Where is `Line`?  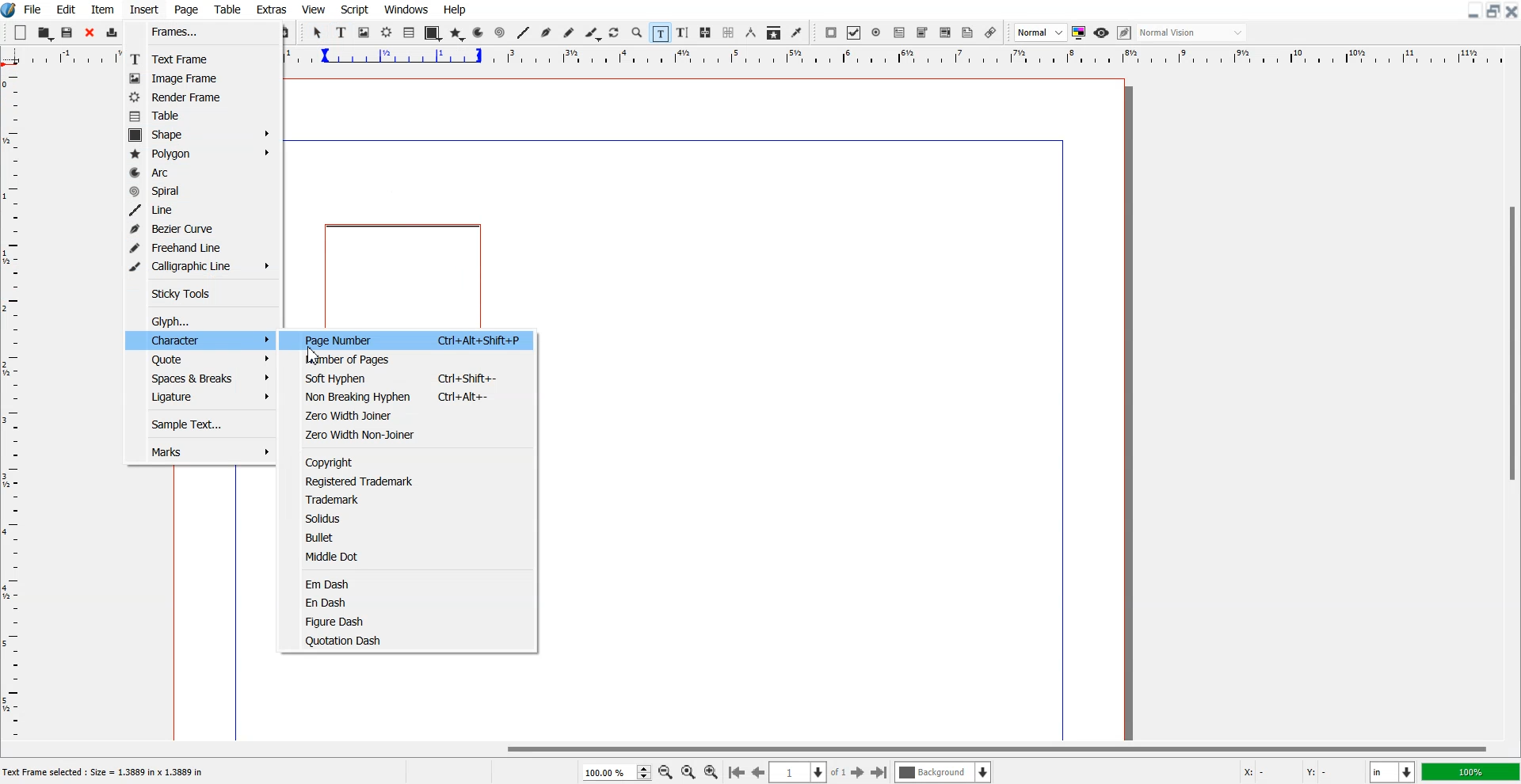
Line is located at coordinates (523, 32).